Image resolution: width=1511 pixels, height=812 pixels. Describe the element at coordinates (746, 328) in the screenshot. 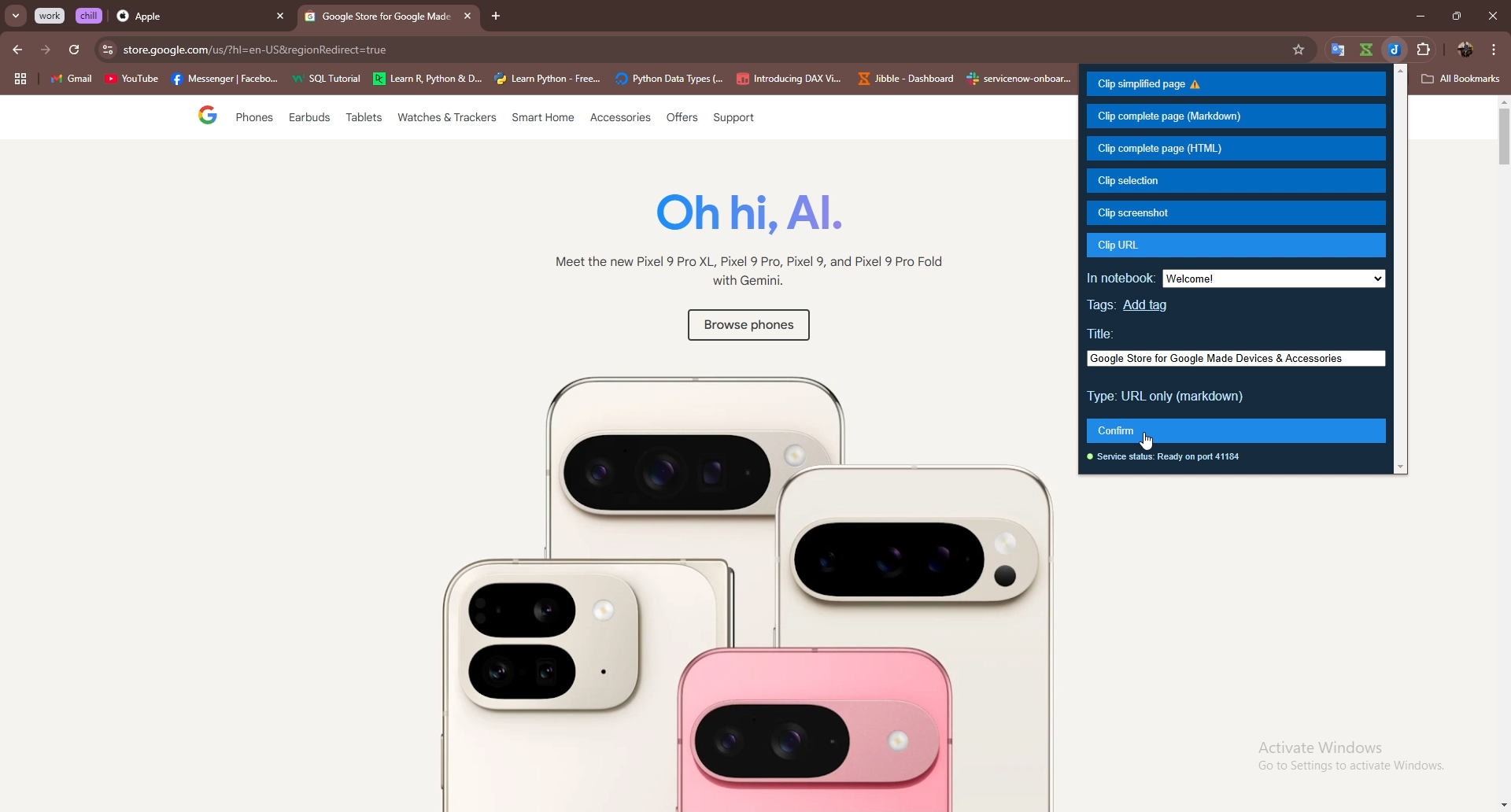

I see `Browse phones` at that location.